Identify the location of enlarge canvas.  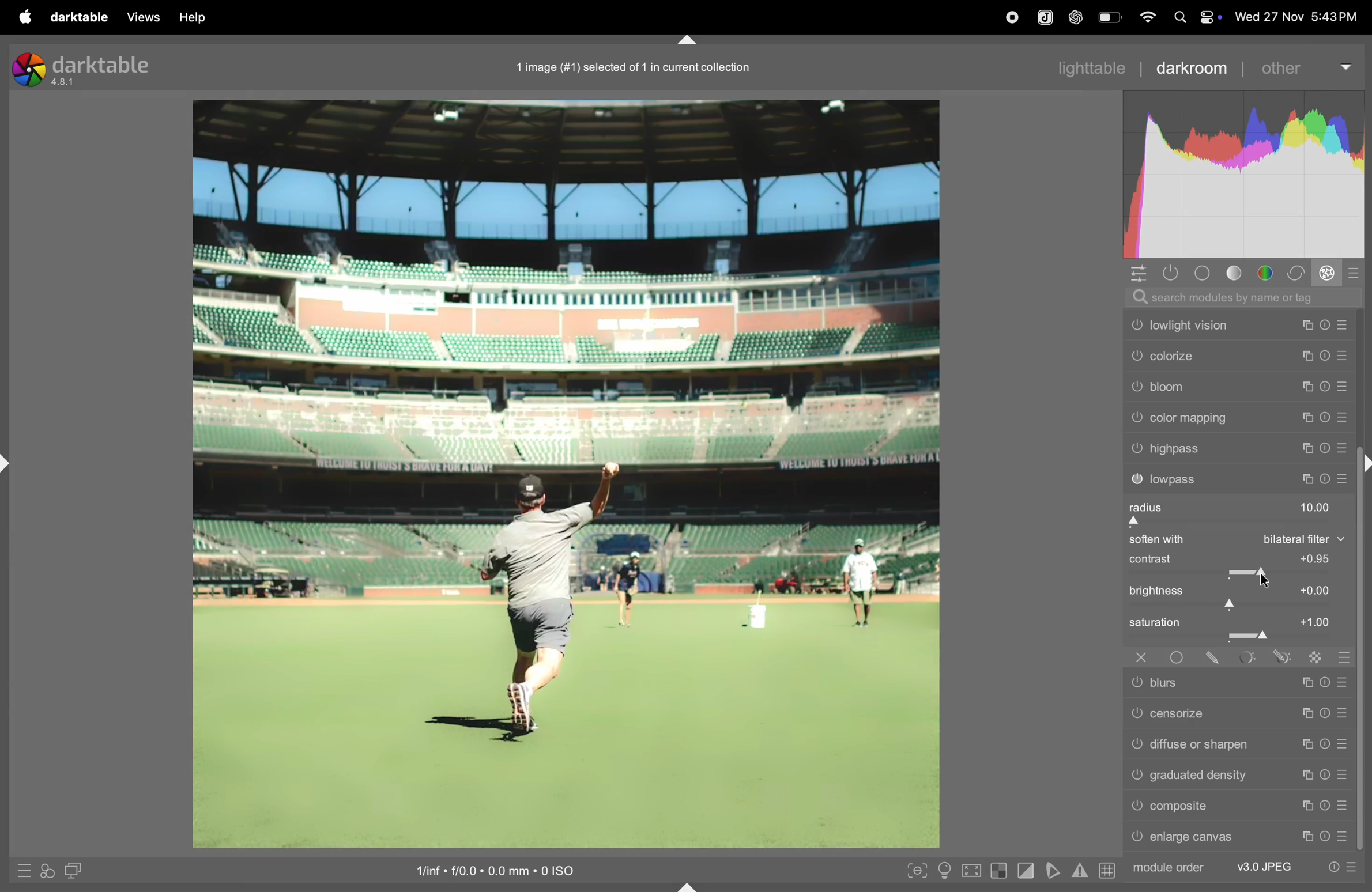
(1241, 838).